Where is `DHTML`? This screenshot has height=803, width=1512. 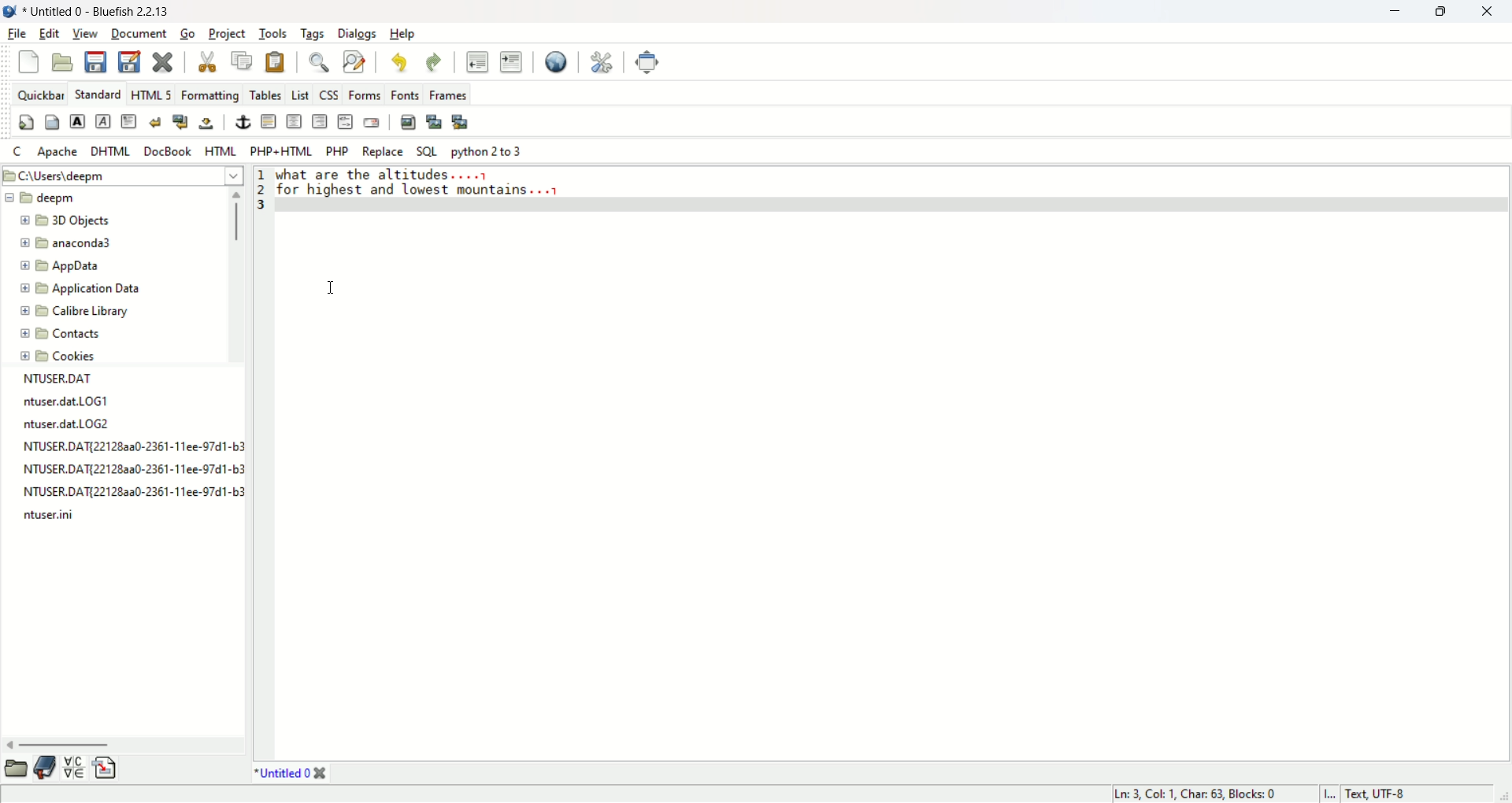
DHTML is located at coordinates (109, 152).